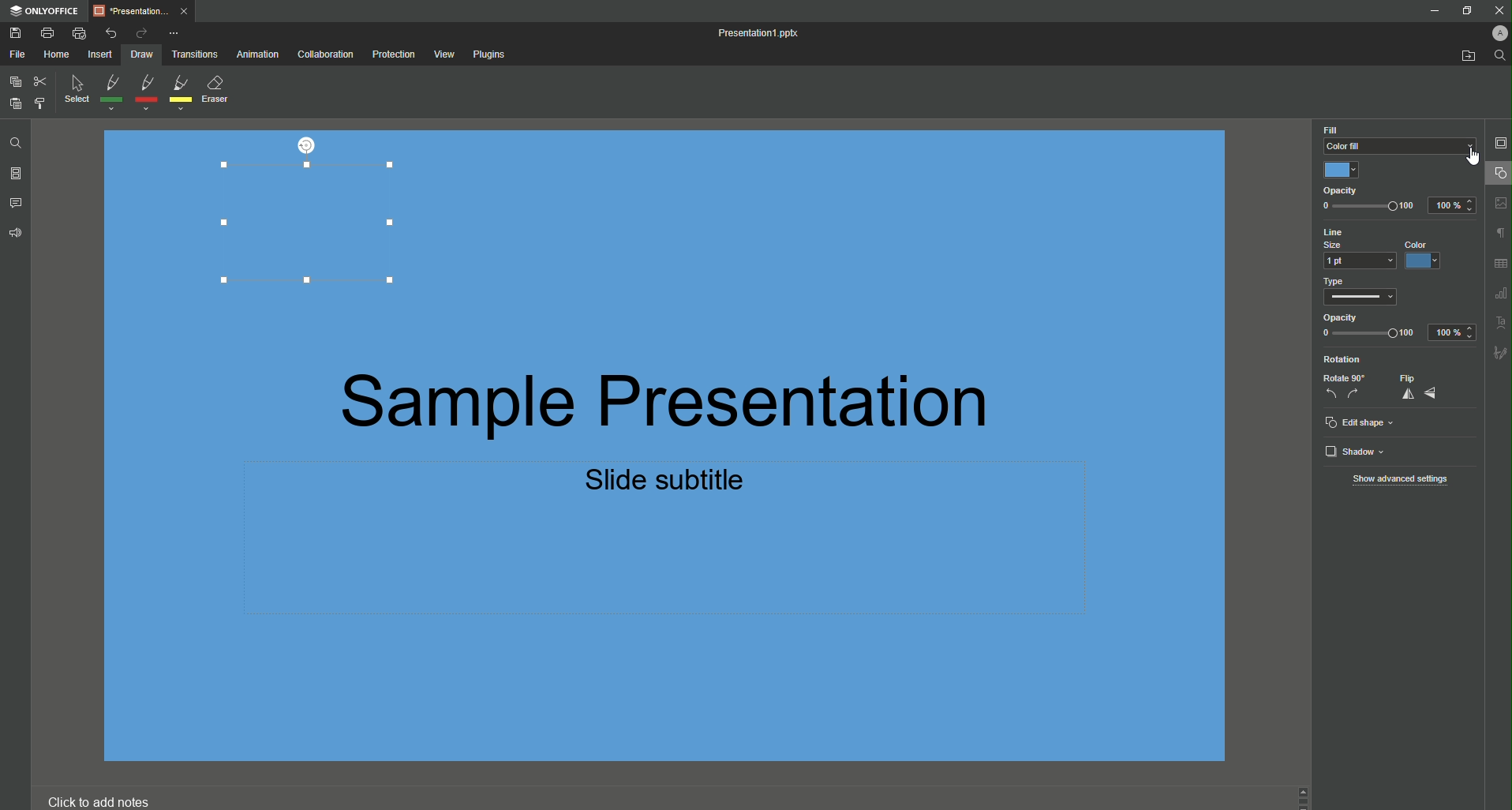 This screenshot has width=1512, height=810. What do you see at coordinates (1453, 203) in the screenshot?
I see `100%` at bounding box center [1453, 203].